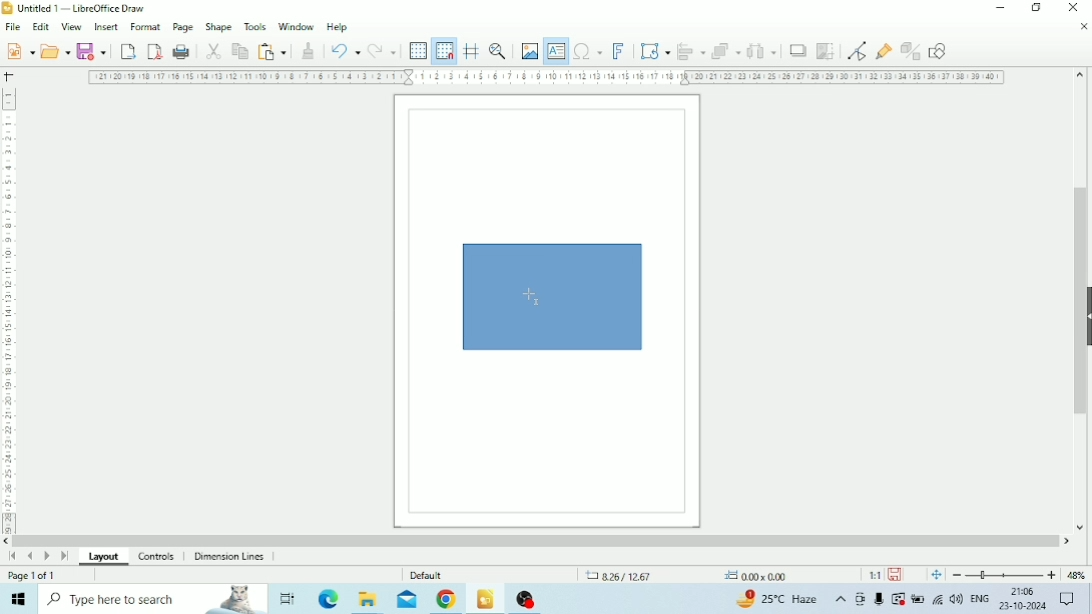 This screenshot has height=614, width=1092. I want to click on Page number, so click(33, 576).